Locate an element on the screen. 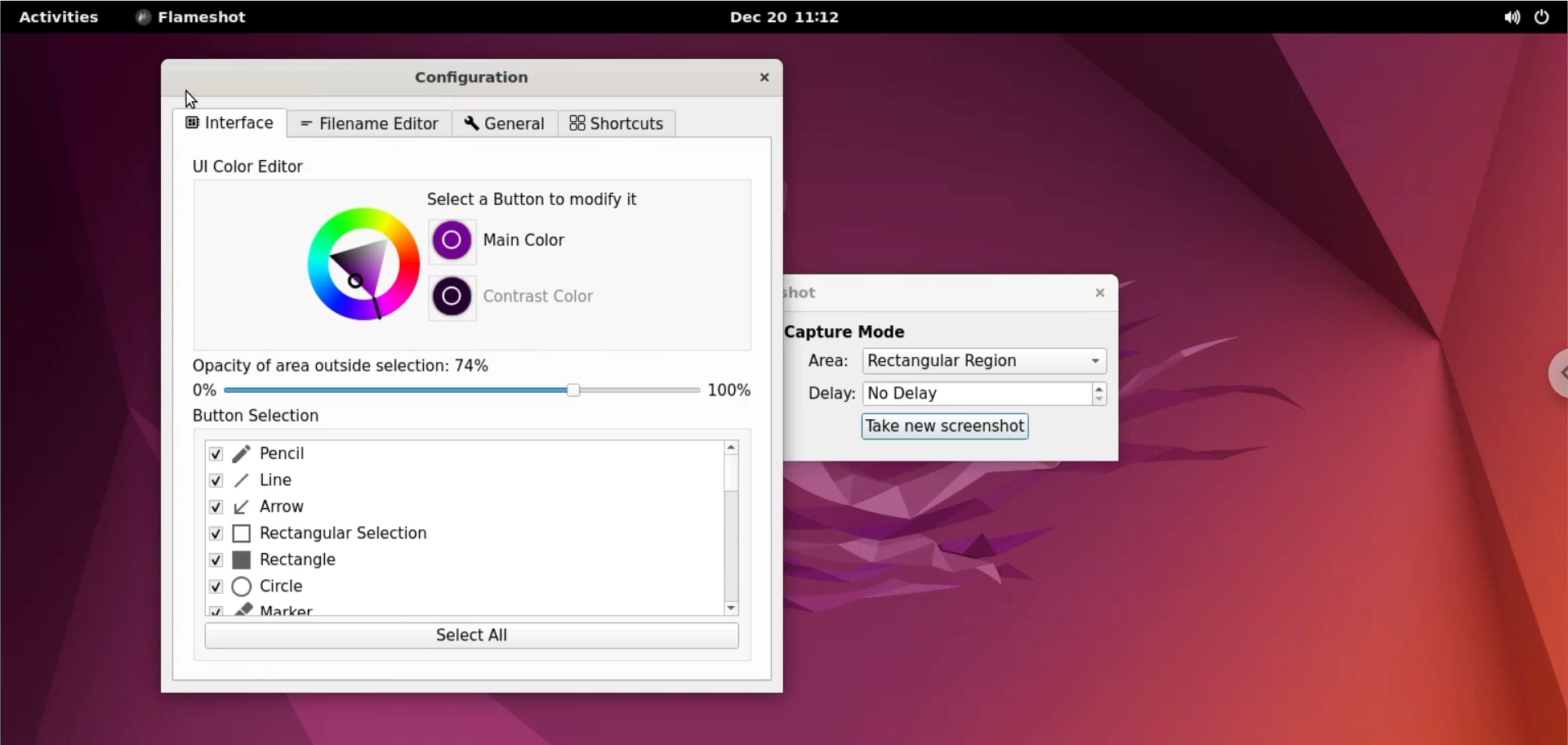 The width and height of the screenshot is (1568, 745). cursor is located at coordinates (194, 96).